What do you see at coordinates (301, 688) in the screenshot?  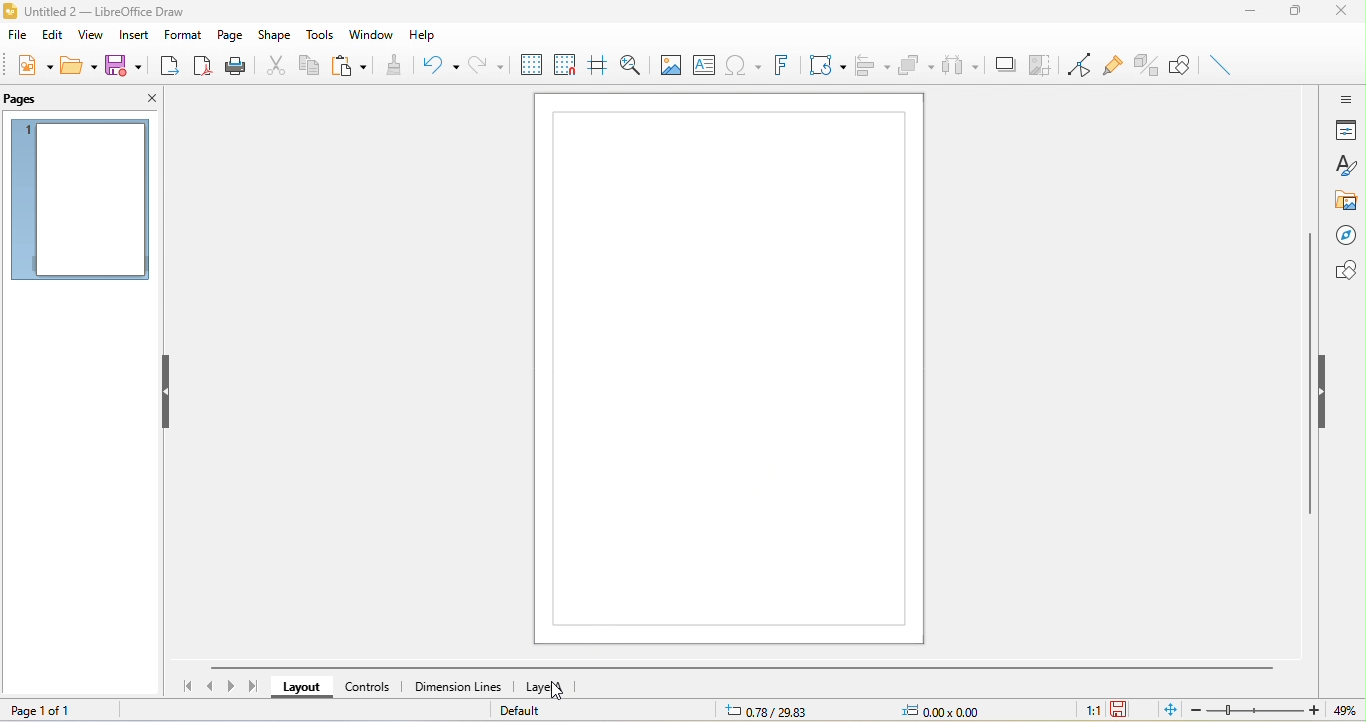 I see `layout` at bounding box center [301, 688].